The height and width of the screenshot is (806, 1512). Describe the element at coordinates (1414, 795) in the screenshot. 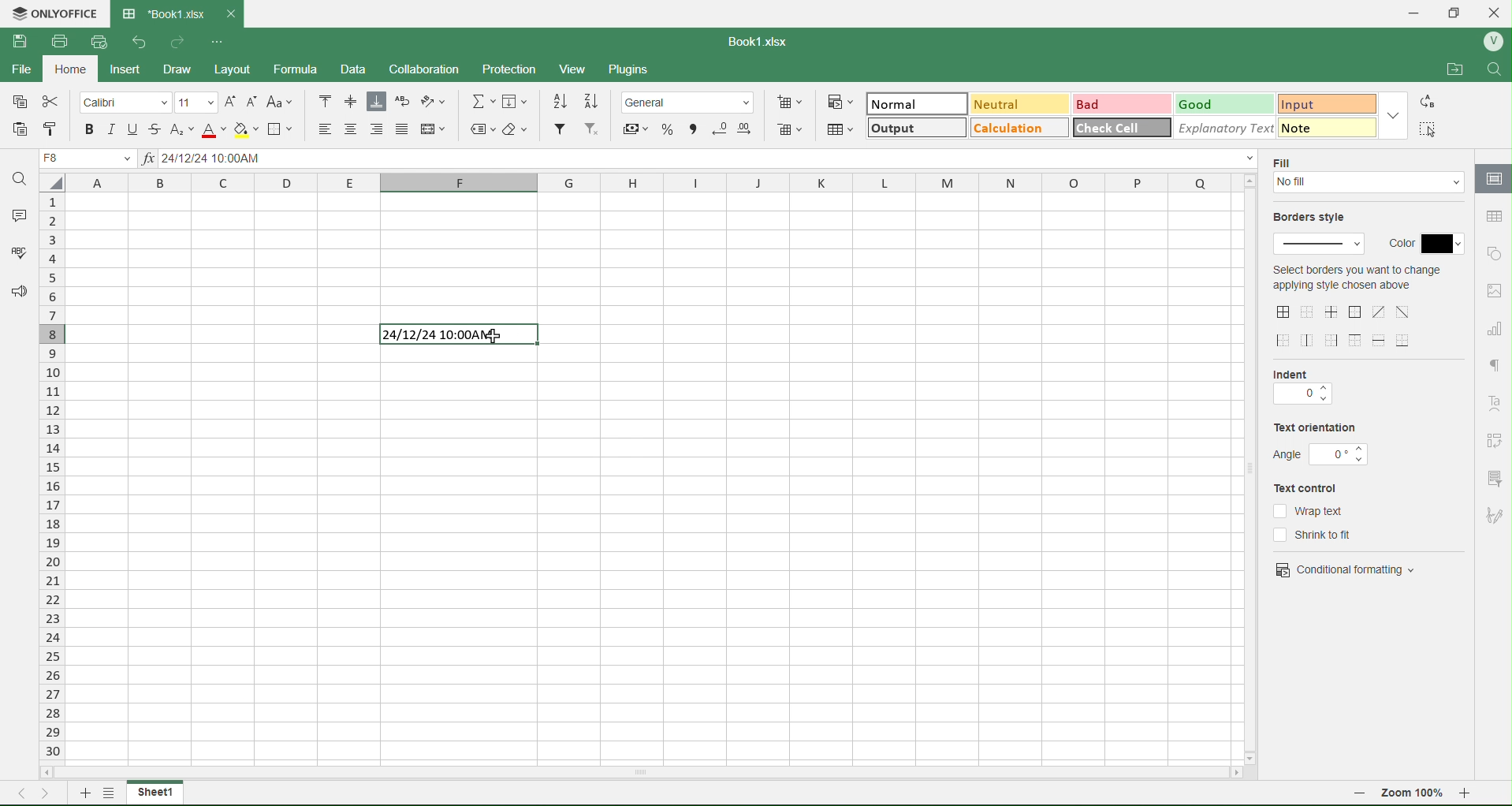

I see `Zoom 100%` at that location.